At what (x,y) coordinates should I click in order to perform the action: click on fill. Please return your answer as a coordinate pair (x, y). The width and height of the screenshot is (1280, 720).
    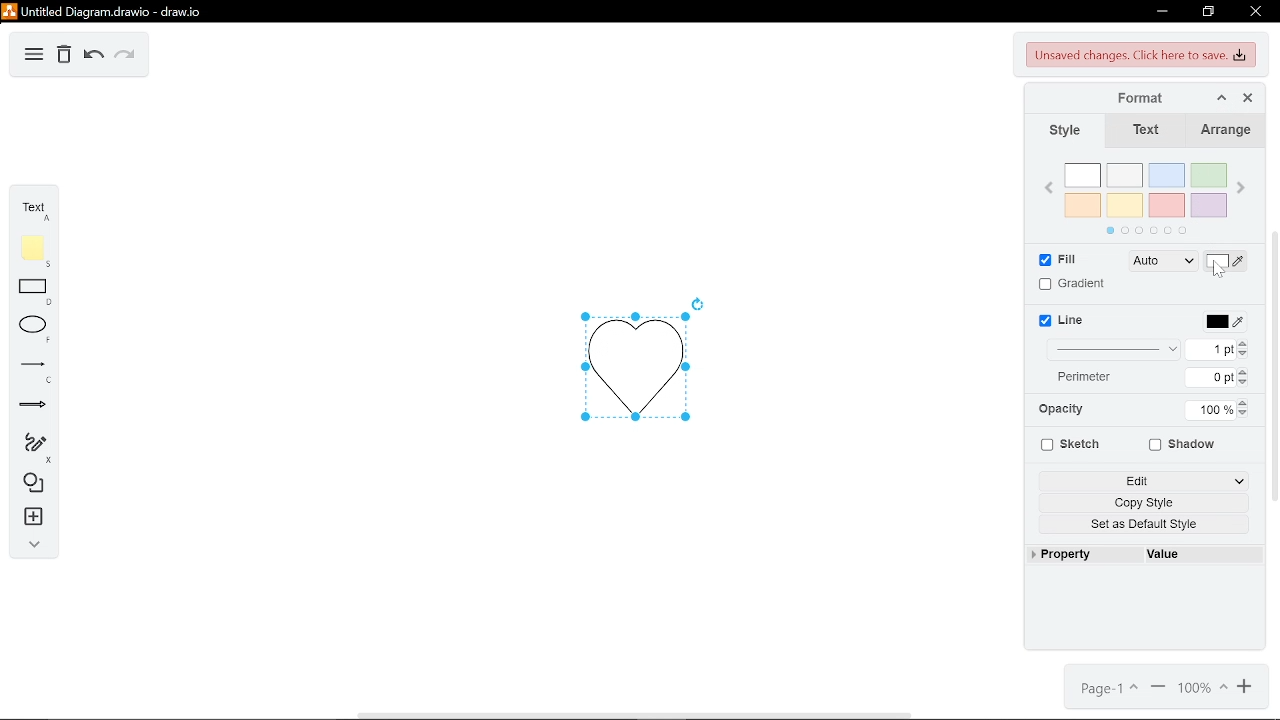
    Looking at the image, I should click on (1053, 261).